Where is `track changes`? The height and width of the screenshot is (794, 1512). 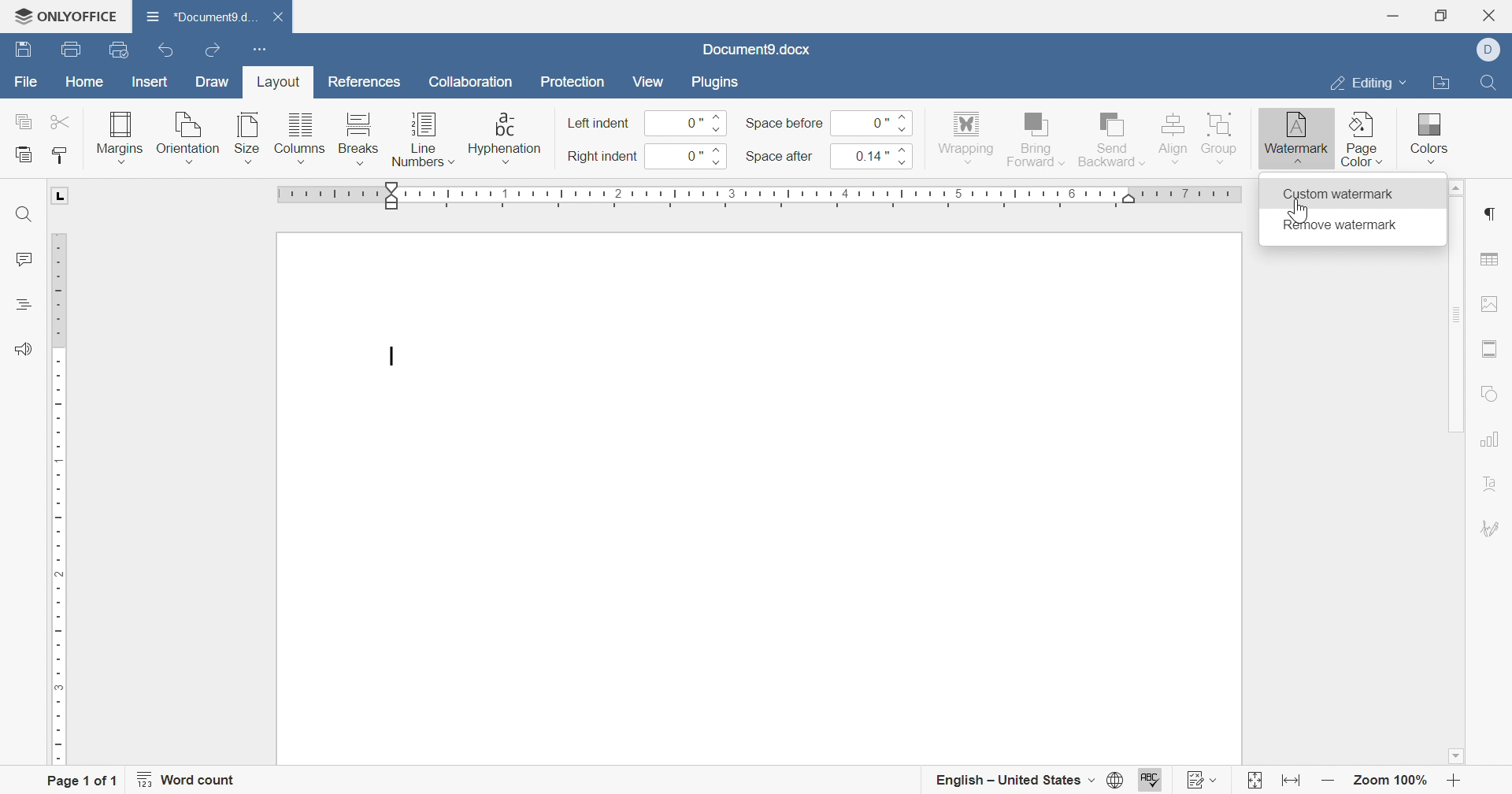 track changes is located at coordinates (1203, 780).